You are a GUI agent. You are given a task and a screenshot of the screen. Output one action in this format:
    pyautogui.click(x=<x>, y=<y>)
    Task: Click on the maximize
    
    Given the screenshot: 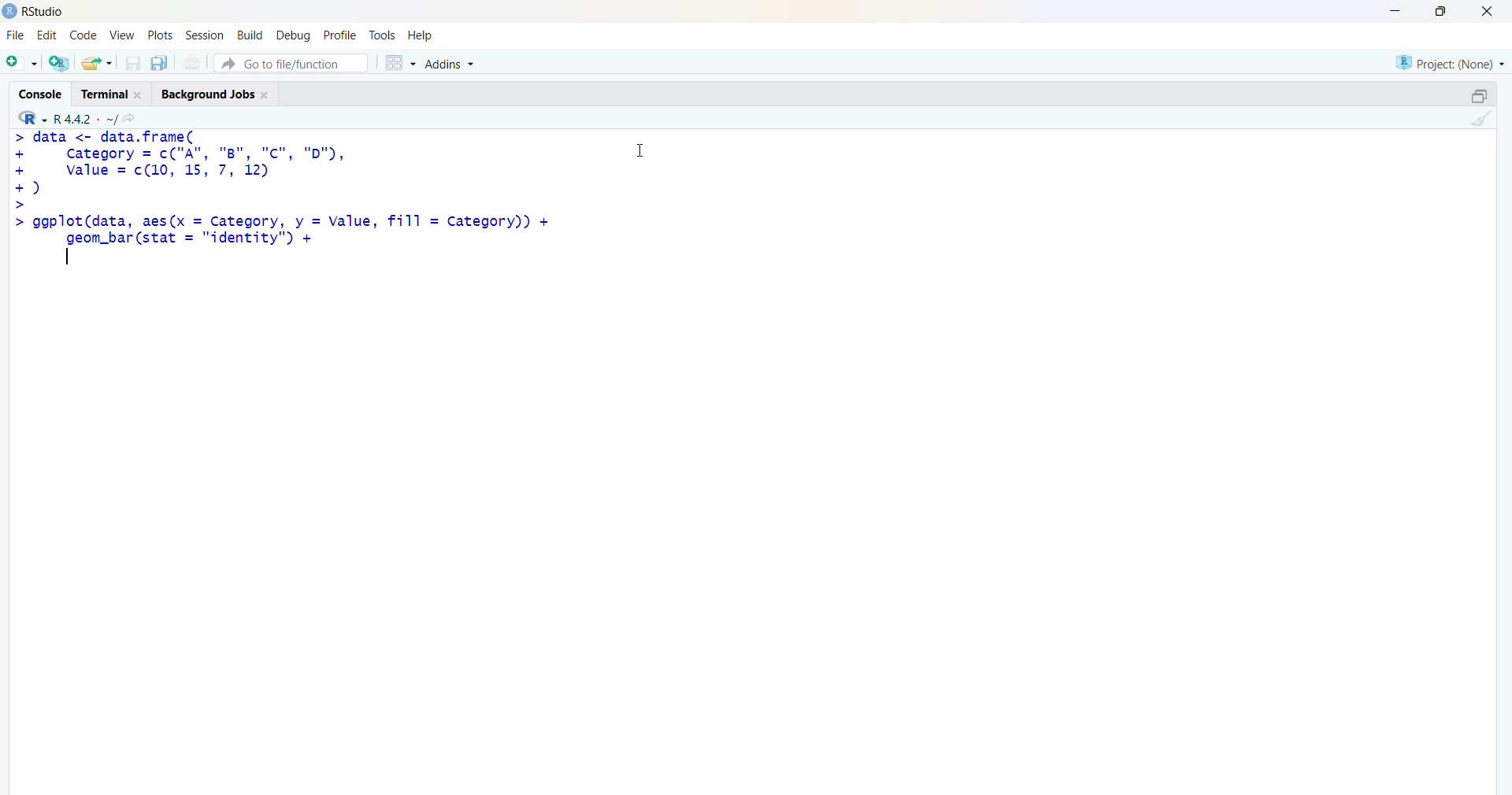 What is the action you would take?
    pyautogui.click(x=1446, y=11)
    